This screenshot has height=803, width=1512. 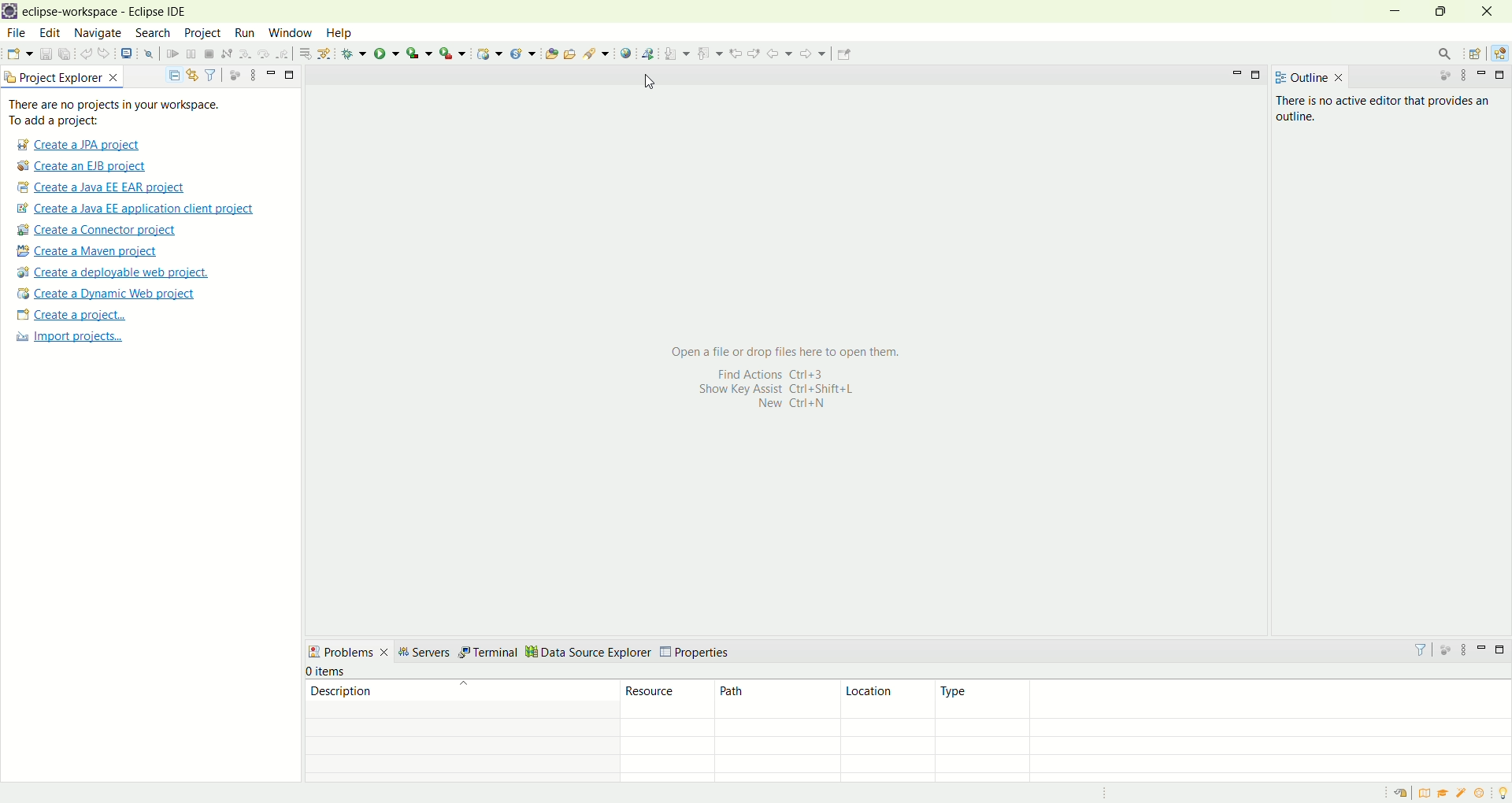 I want to click on debug, so click(x=354, y=54).